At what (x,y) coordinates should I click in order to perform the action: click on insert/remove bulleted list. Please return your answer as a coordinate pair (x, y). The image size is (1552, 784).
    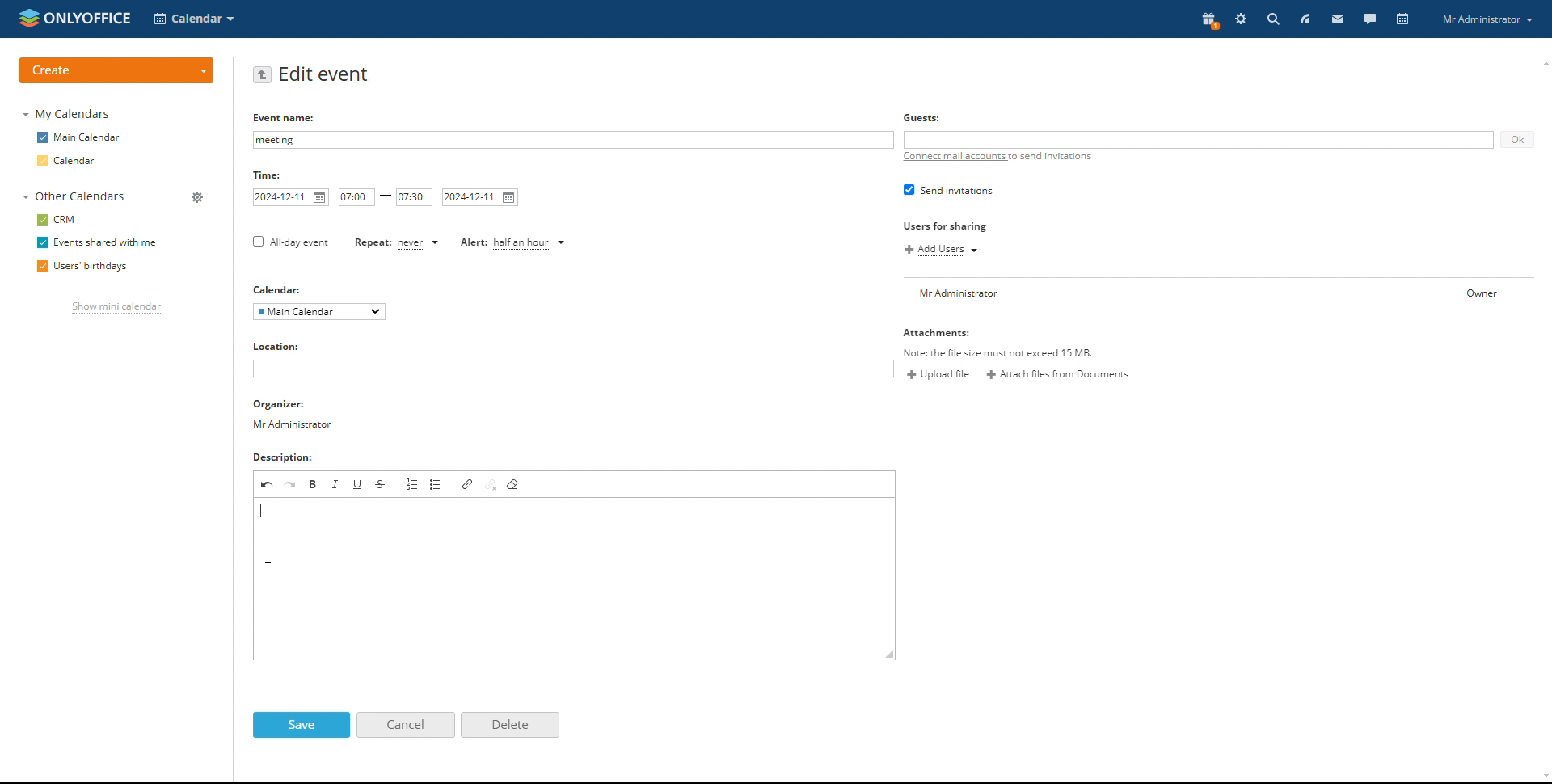
    Looking at the image, I should click on (437, 485).